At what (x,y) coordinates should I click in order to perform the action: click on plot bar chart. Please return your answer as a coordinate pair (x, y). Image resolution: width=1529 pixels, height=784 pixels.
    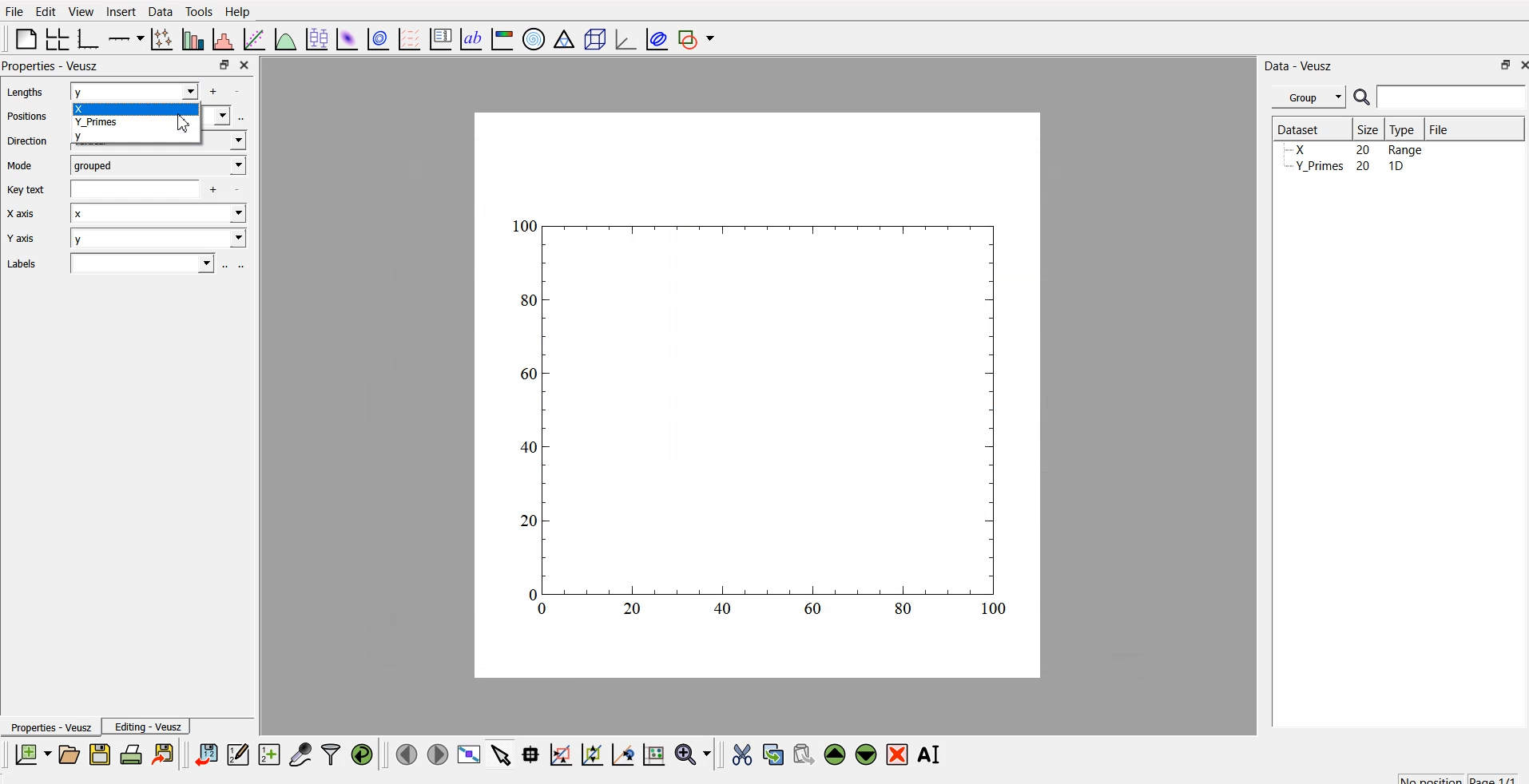
    Looking at the image, I should click on (191, 41).